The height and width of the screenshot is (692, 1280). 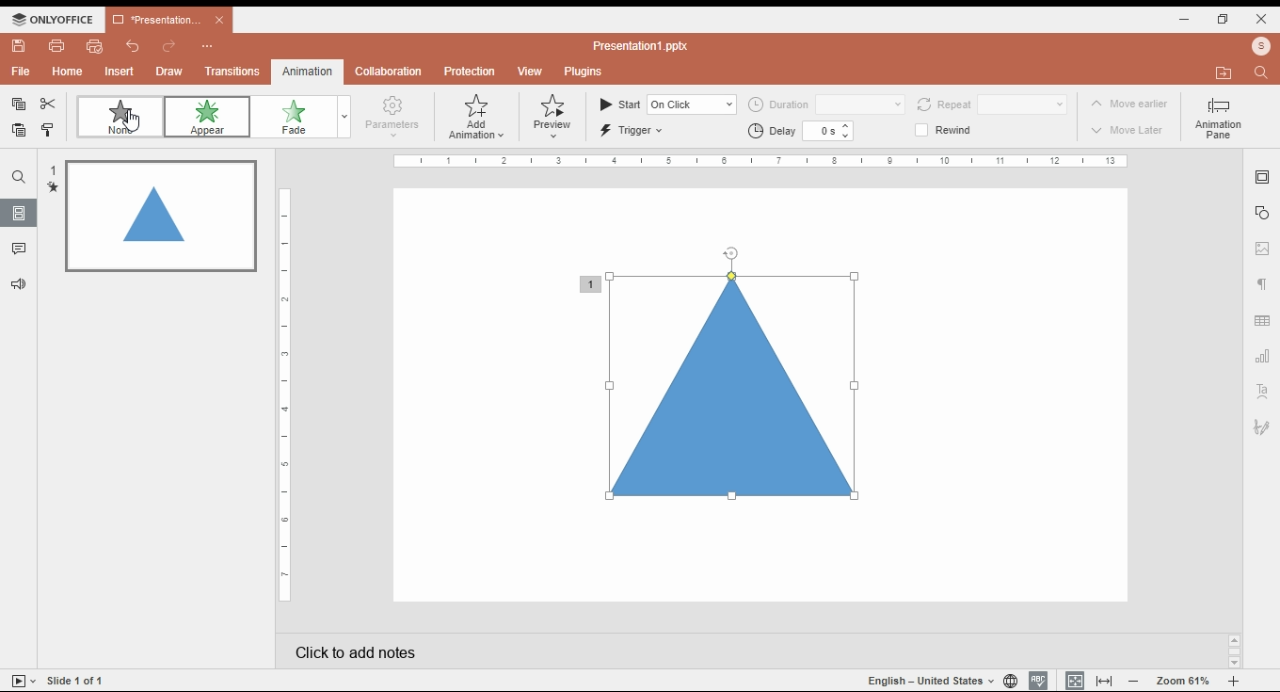 What do you see at coordinates (152, 214) in the screenshot?
I see `slide 1` at bounding box center [152, 214].